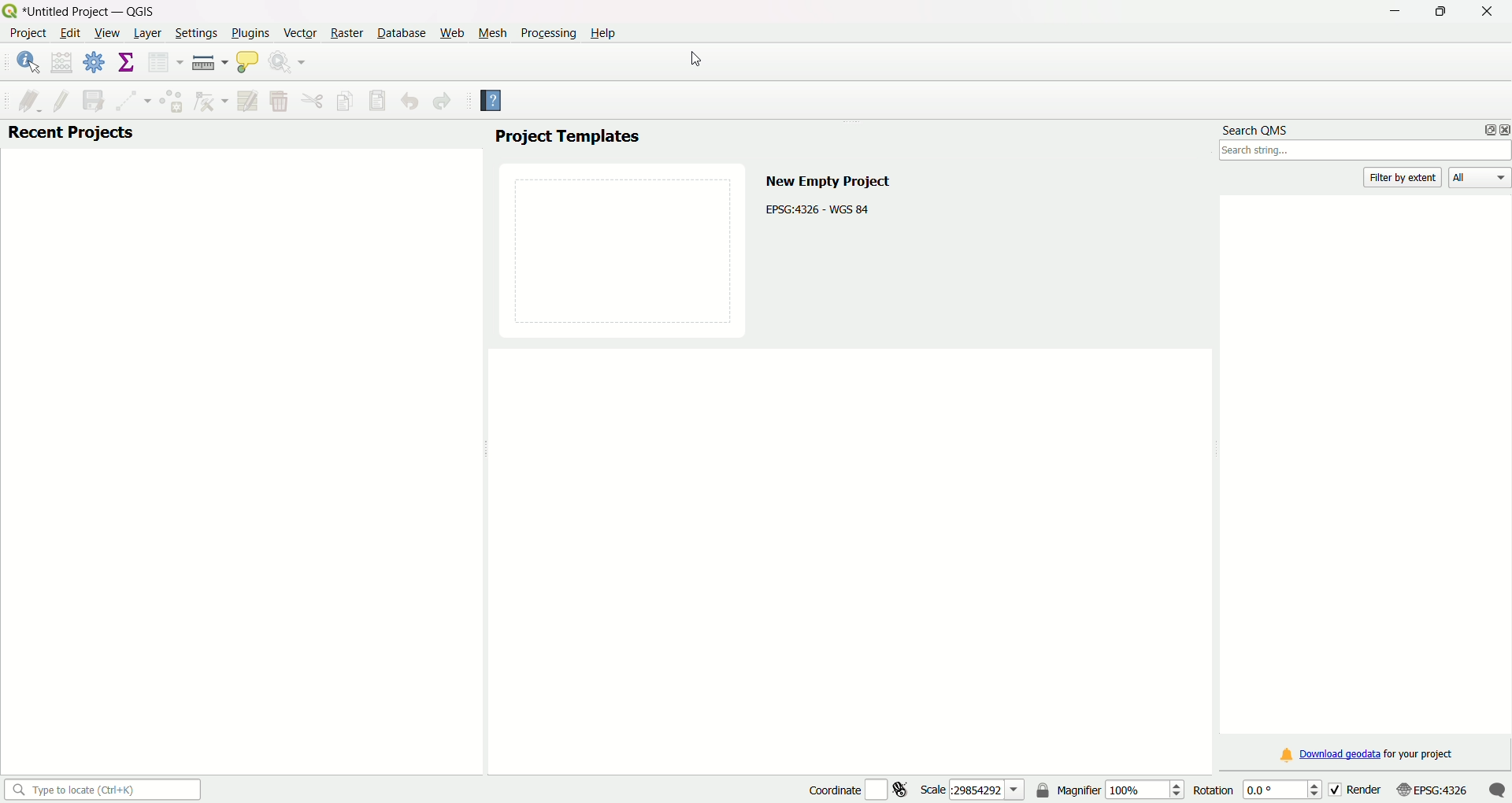  I want to click on Vector, so click(298, 32).